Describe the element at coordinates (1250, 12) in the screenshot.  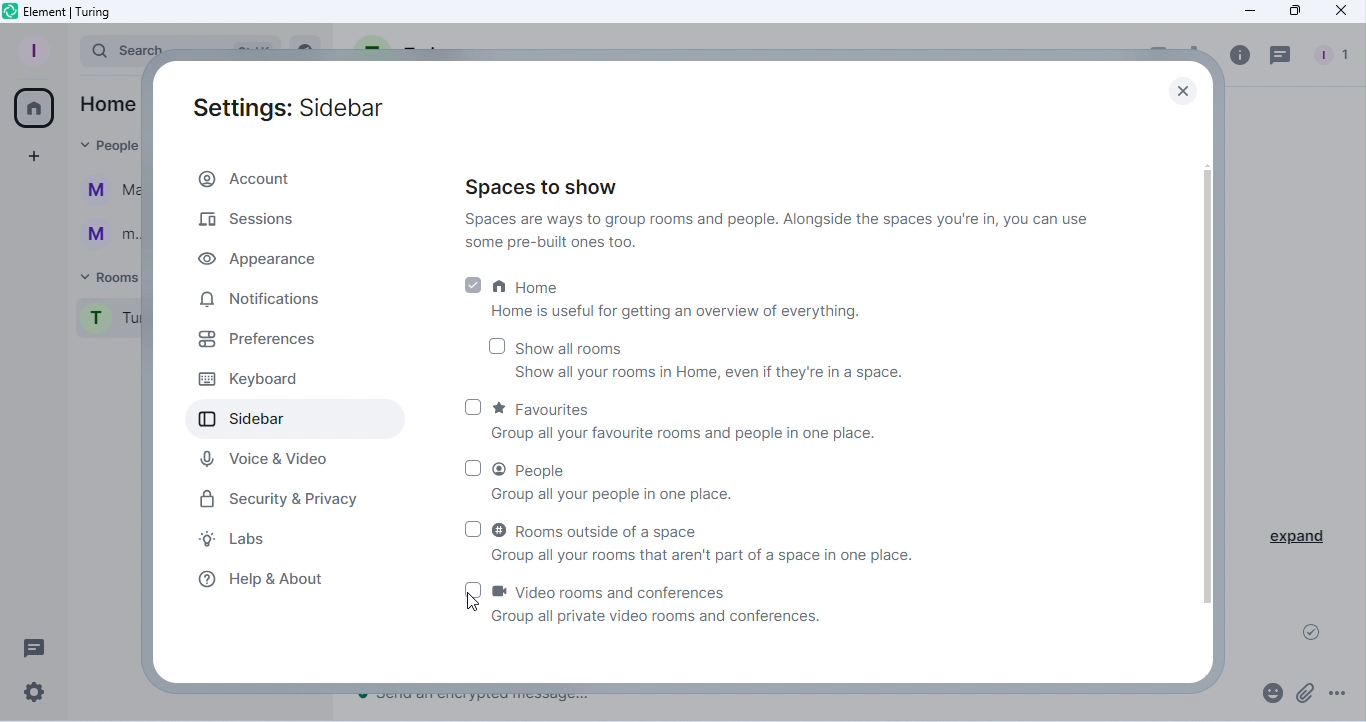
I see `Minimize` at that location.